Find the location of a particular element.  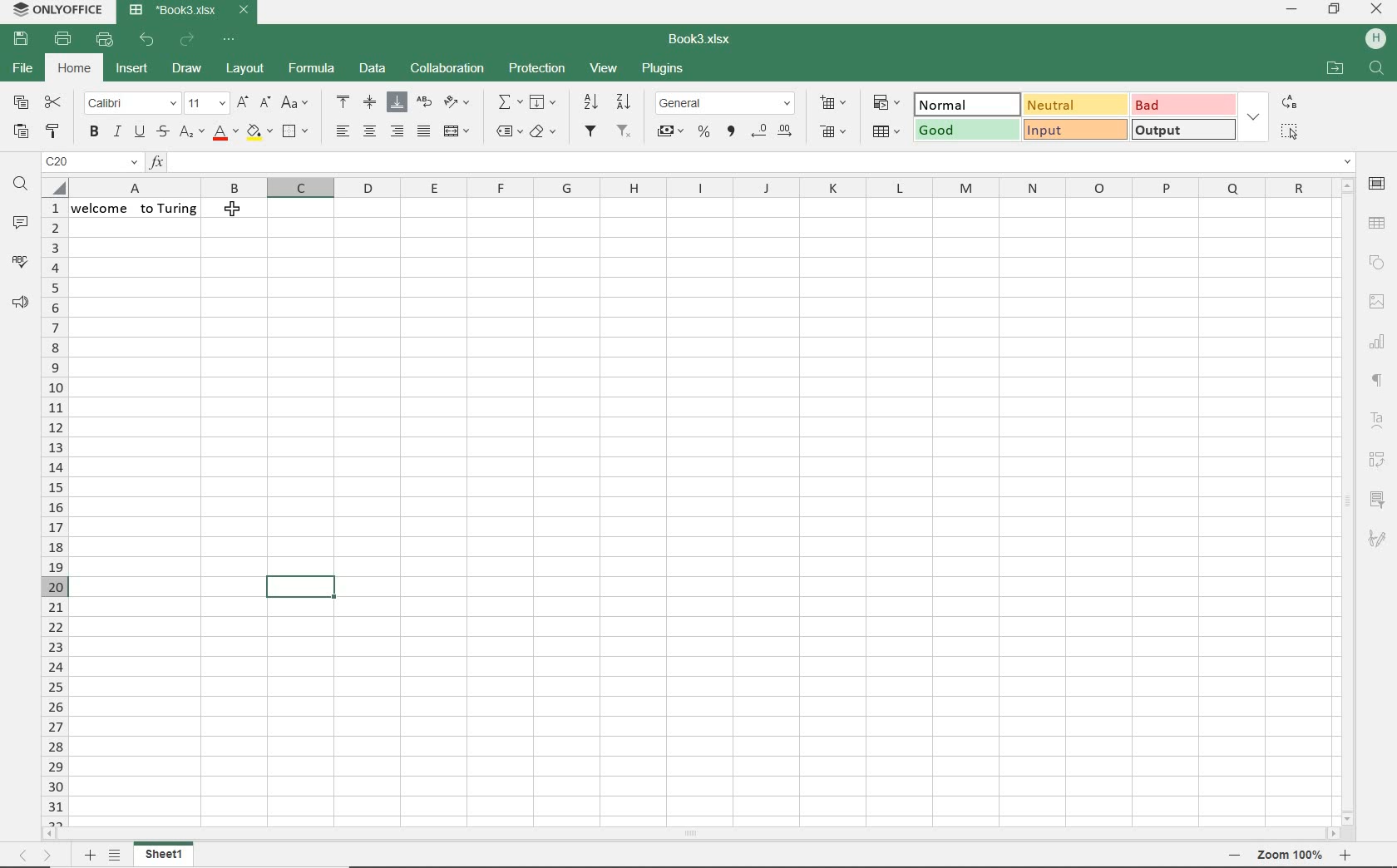

cursor is located at coordinates (231, 210).